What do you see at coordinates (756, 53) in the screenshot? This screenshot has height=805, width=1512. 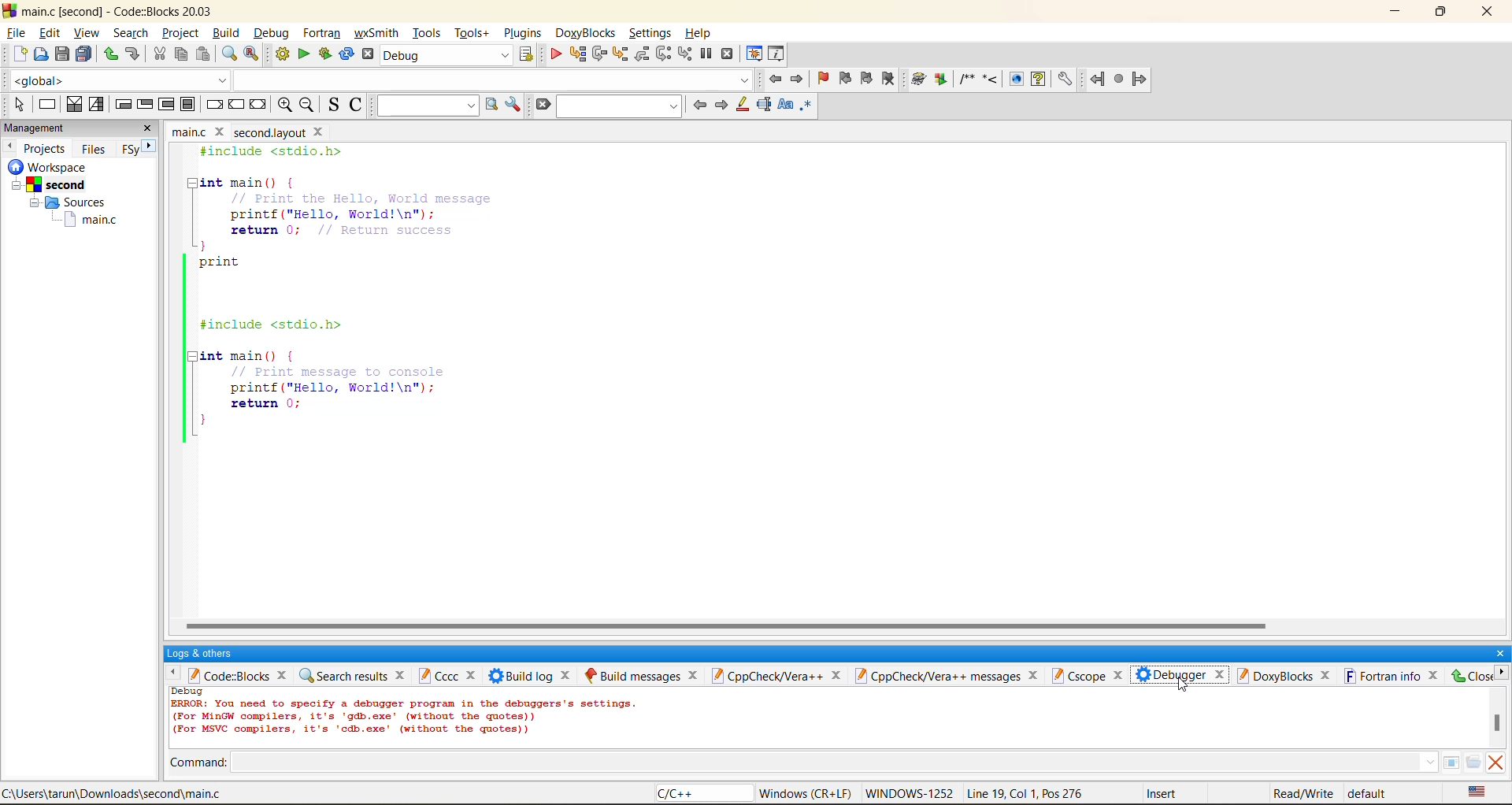 I see `debugging windows` at bounding box center [756, 53].